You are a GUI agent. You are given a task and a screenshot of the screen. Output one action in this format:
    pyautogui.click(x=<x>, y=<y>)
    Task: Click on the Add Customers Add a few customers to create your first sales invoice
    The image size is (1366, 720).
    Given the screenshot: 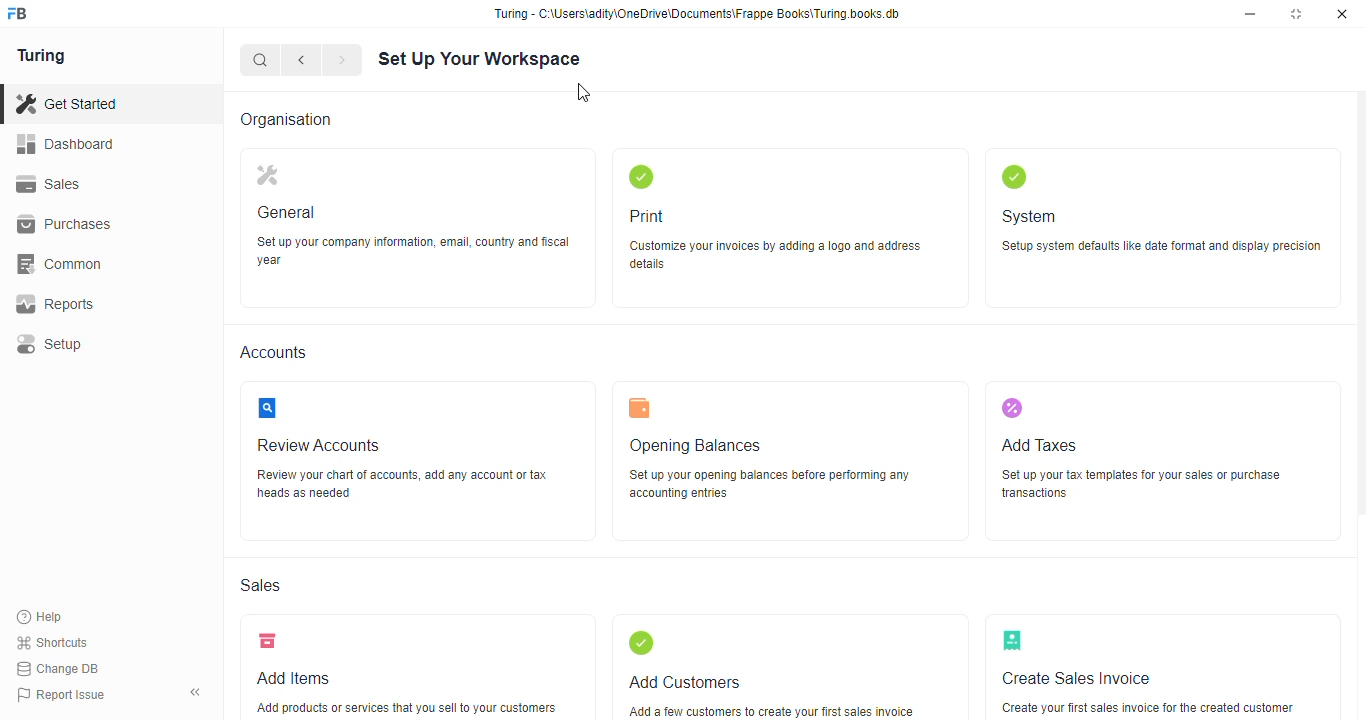 What is the action you would take?
    pyautogui.click(x=792, y=667)
    